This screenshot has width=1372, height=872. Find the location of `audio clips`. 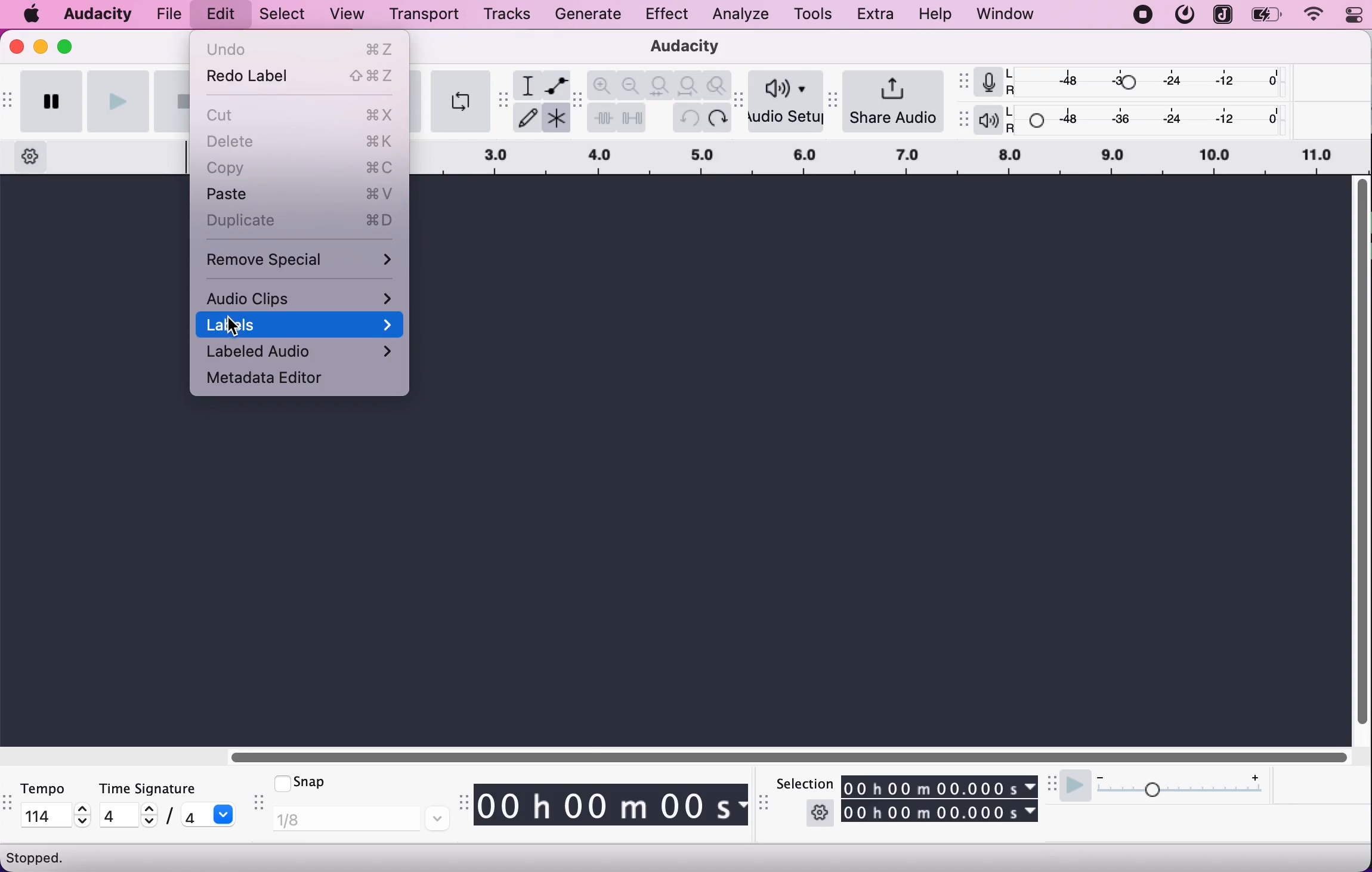

audio clips is located at coordinates (301, 297).